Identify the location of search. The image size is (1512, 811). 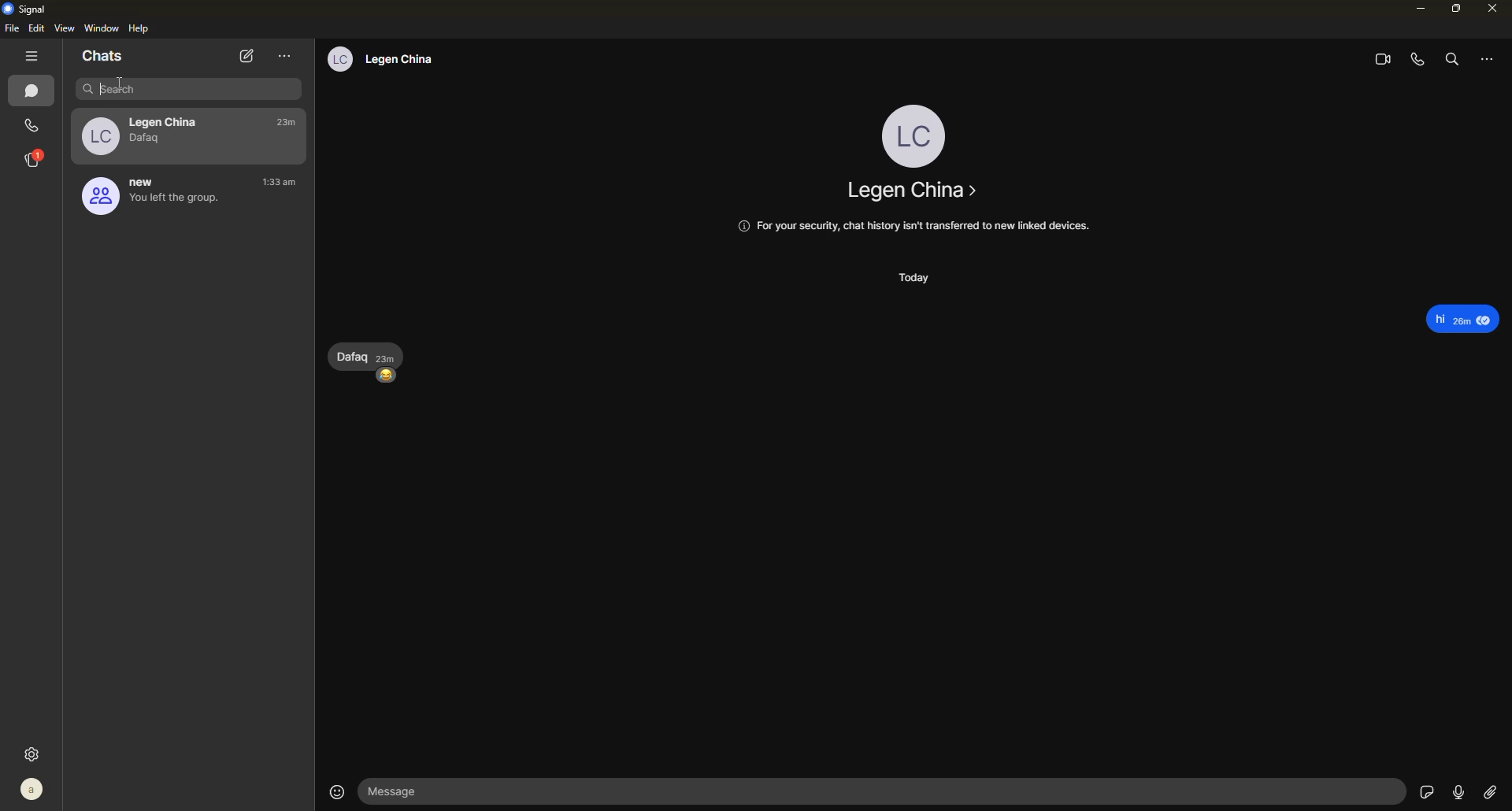
(1452, 60).